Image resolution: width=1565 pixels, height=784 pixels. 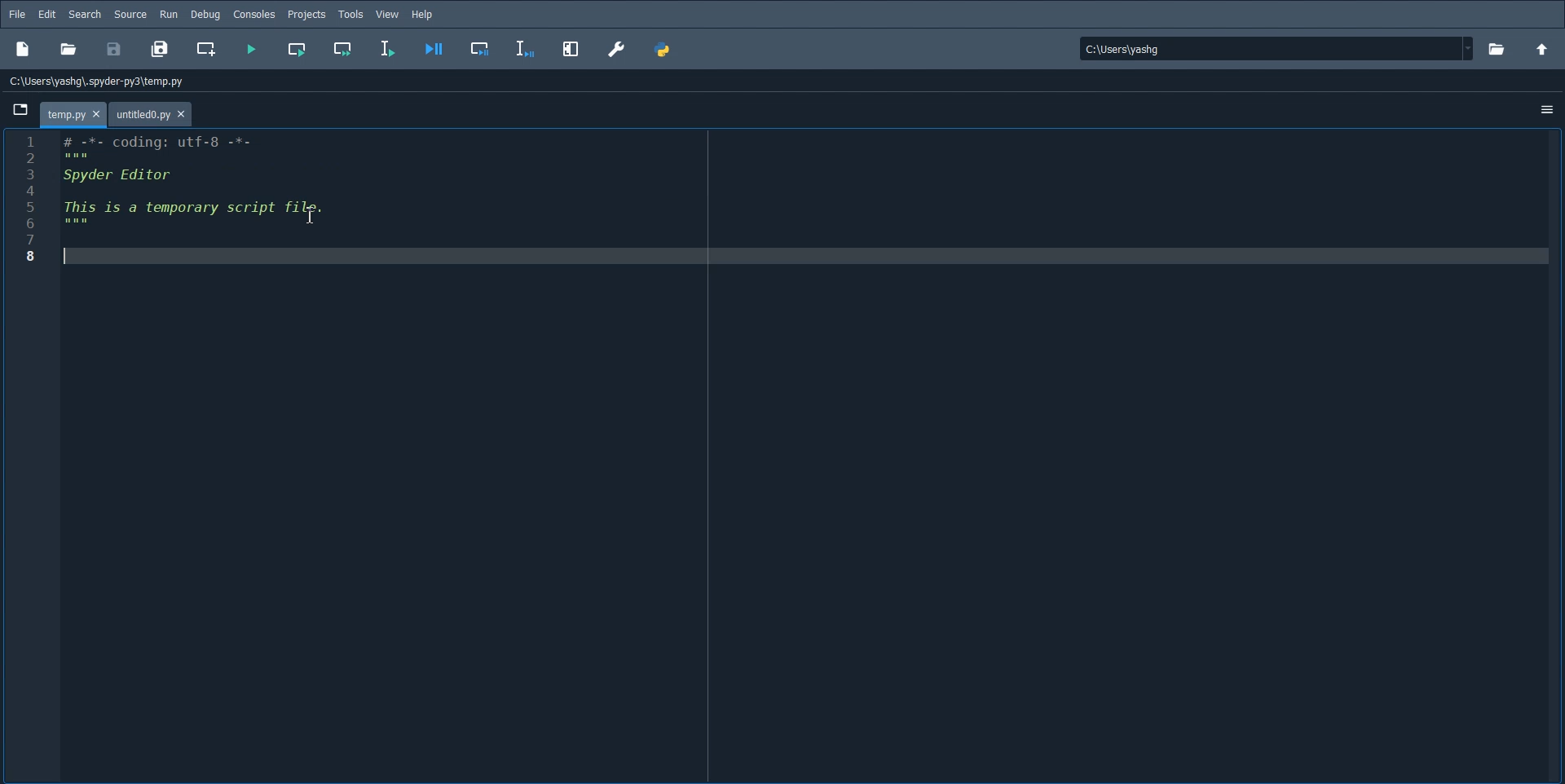 What do you see at coordinates (178, 201) in the screenshot?
I see `1 # -%- coding: utt-8 -*-

PRT

3 Created on Wed Dec 25 19:28:42 2024

4

5  @author: yashg 1

6 mw

7

8` at bounding box center [178, 201].